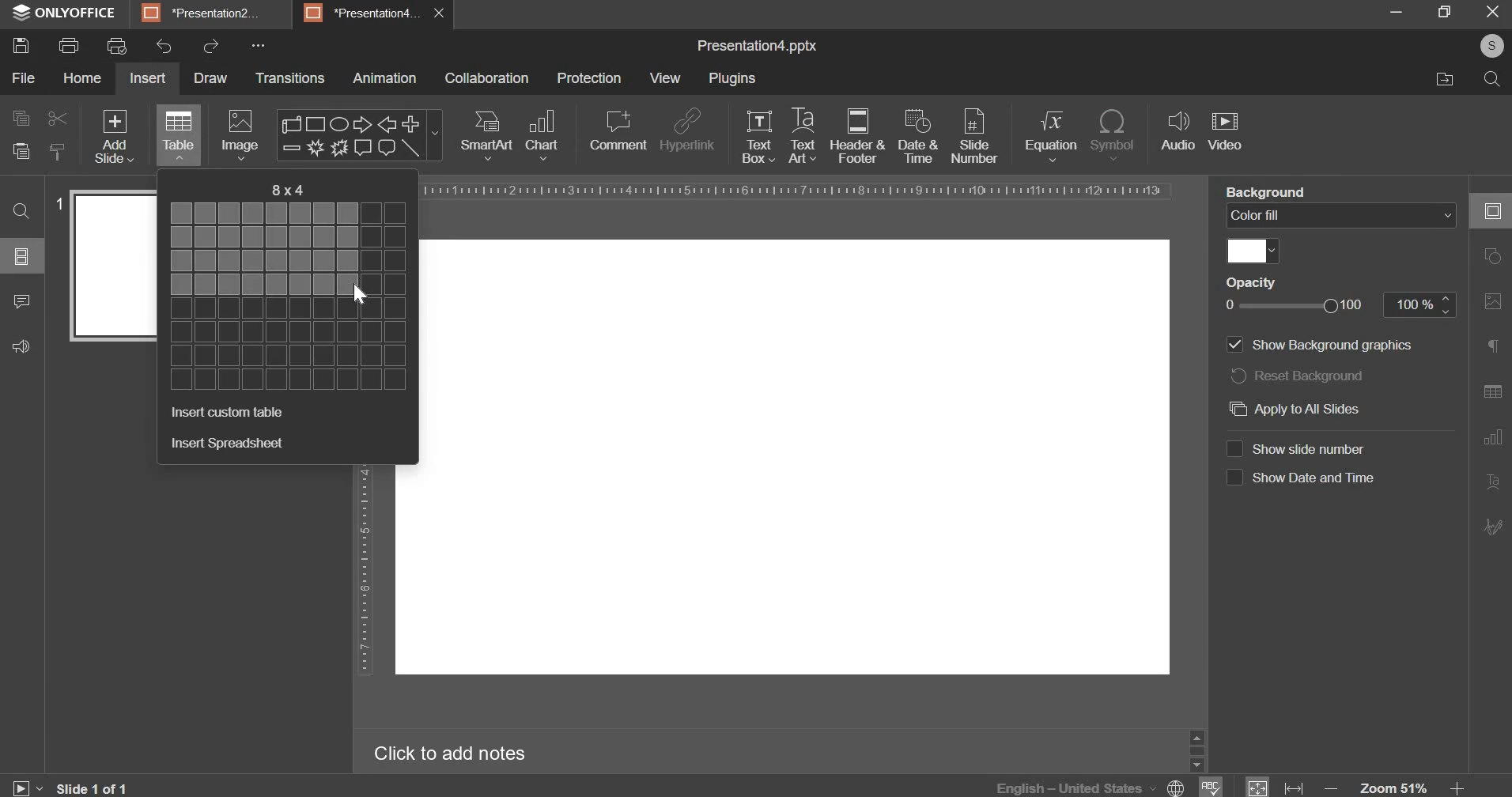 The width and height of the screenshot is (1512, 797). What do you see at coordinates (1495, 210) in the screenshot?
I see `slide settings` at bounding box center [1495, 210].